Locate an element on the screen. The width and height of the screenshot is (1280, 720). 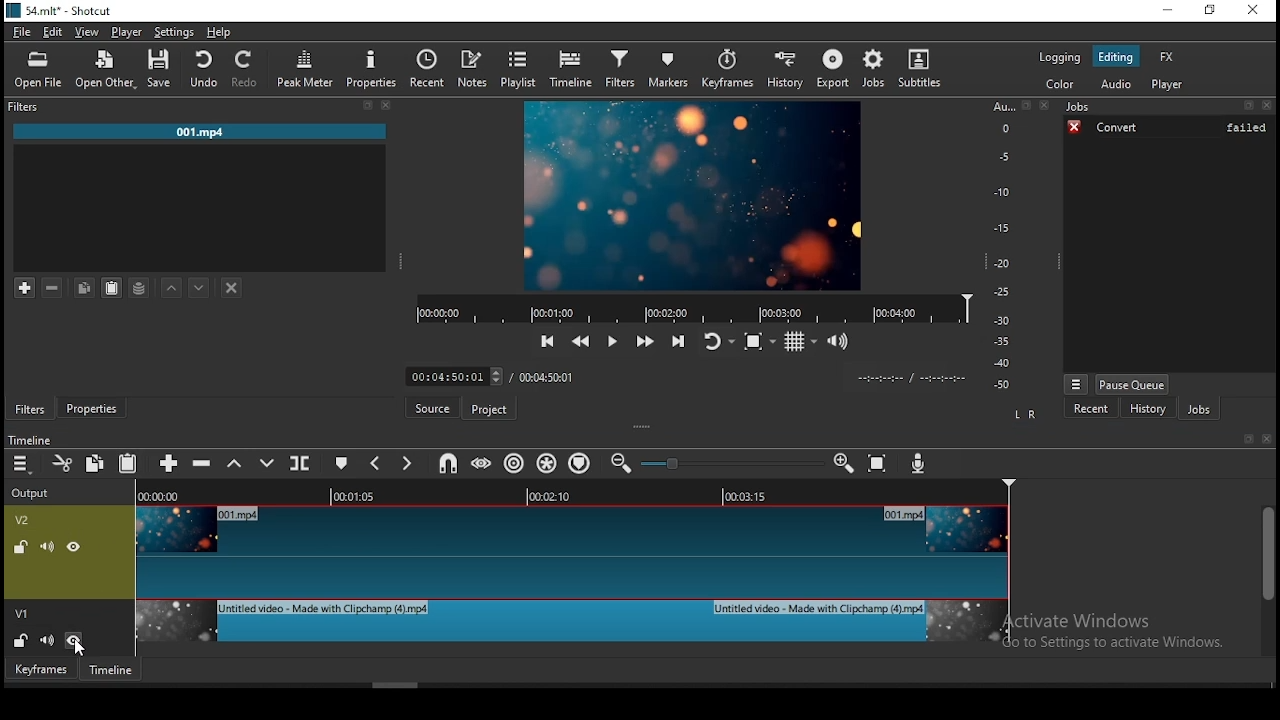
FITER is located at coordinates (201, 106).